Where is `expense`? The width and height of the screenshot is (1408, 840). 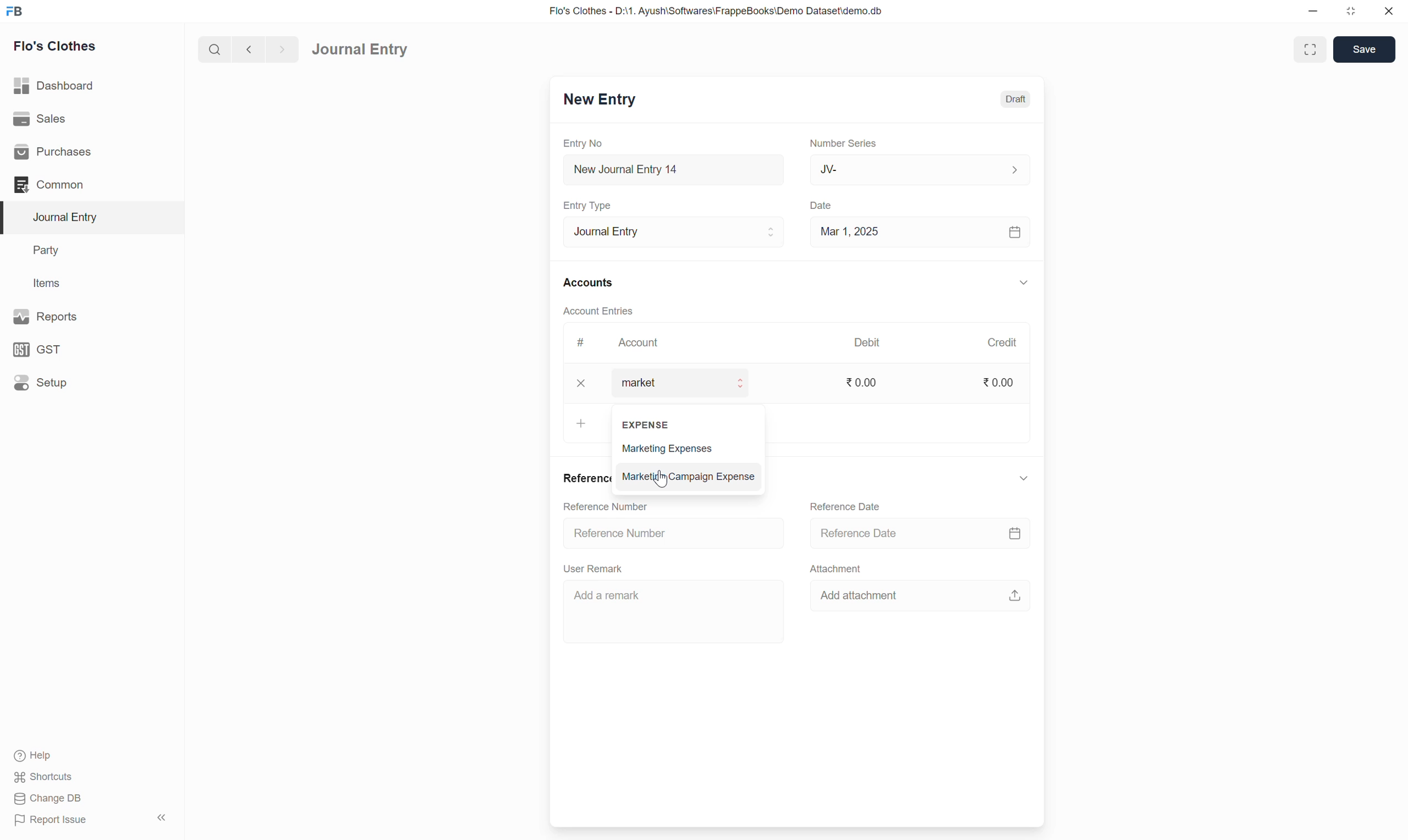
expense is located at coordinates (650, 423).